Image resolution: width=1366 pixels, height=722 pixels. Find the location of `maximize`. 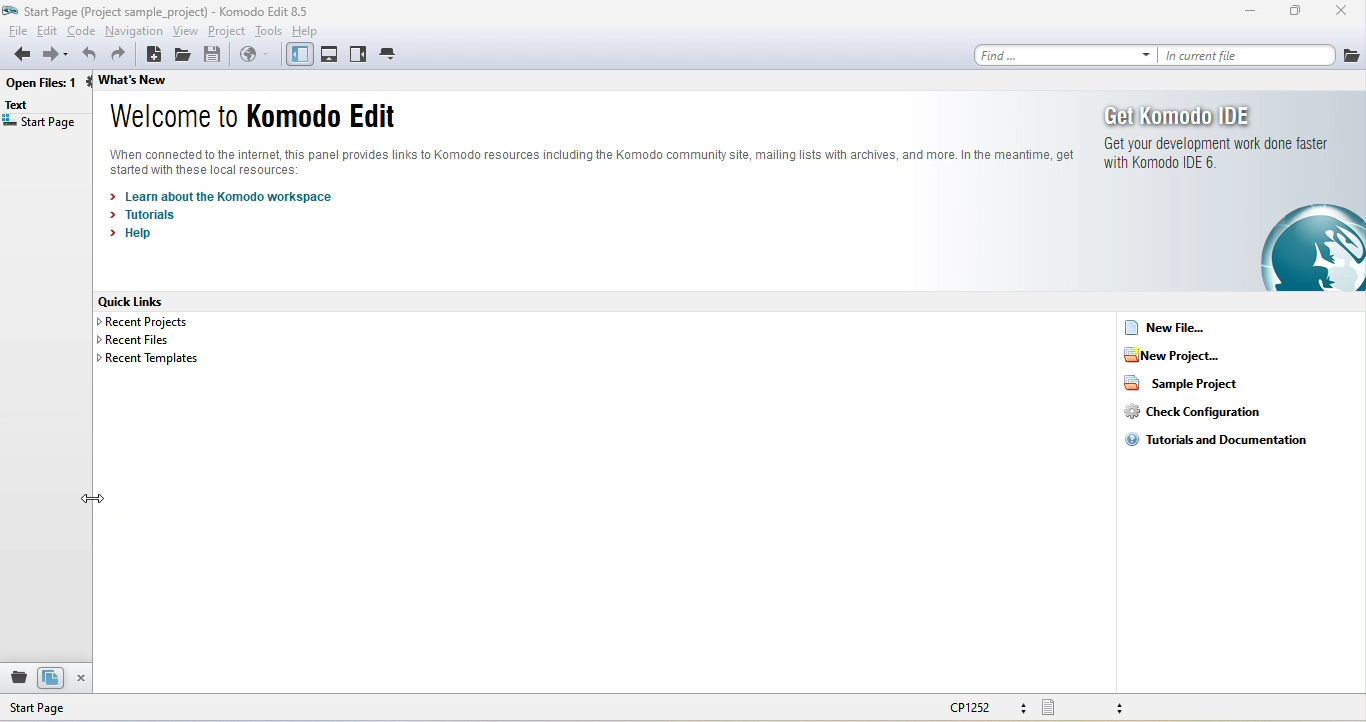

maximize is located at coordinates (1295, 13).